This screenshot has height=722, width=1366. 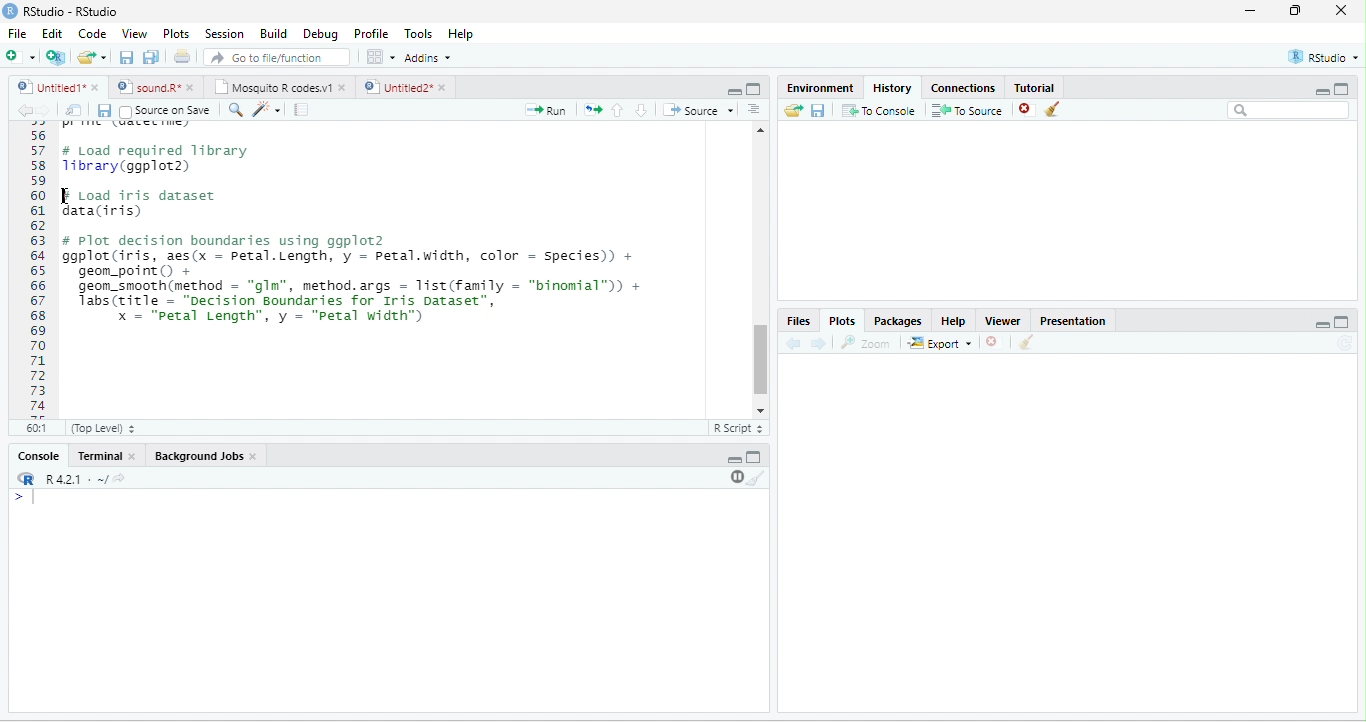 What do you see at coordinates (1344, 343) in the screenshot?
I see `refresh` at bounding box center [1344, 343].